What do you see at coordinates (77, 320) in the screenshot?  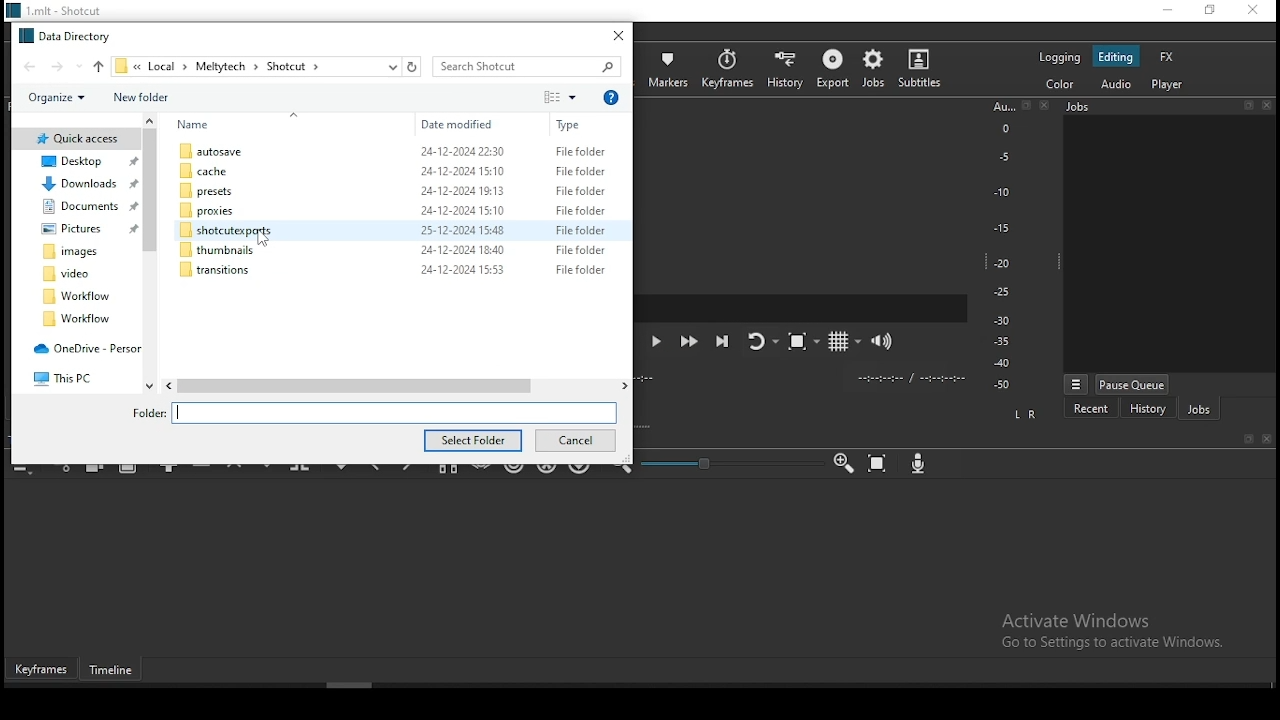 I see `local folder` at bounding box center [77, 320].